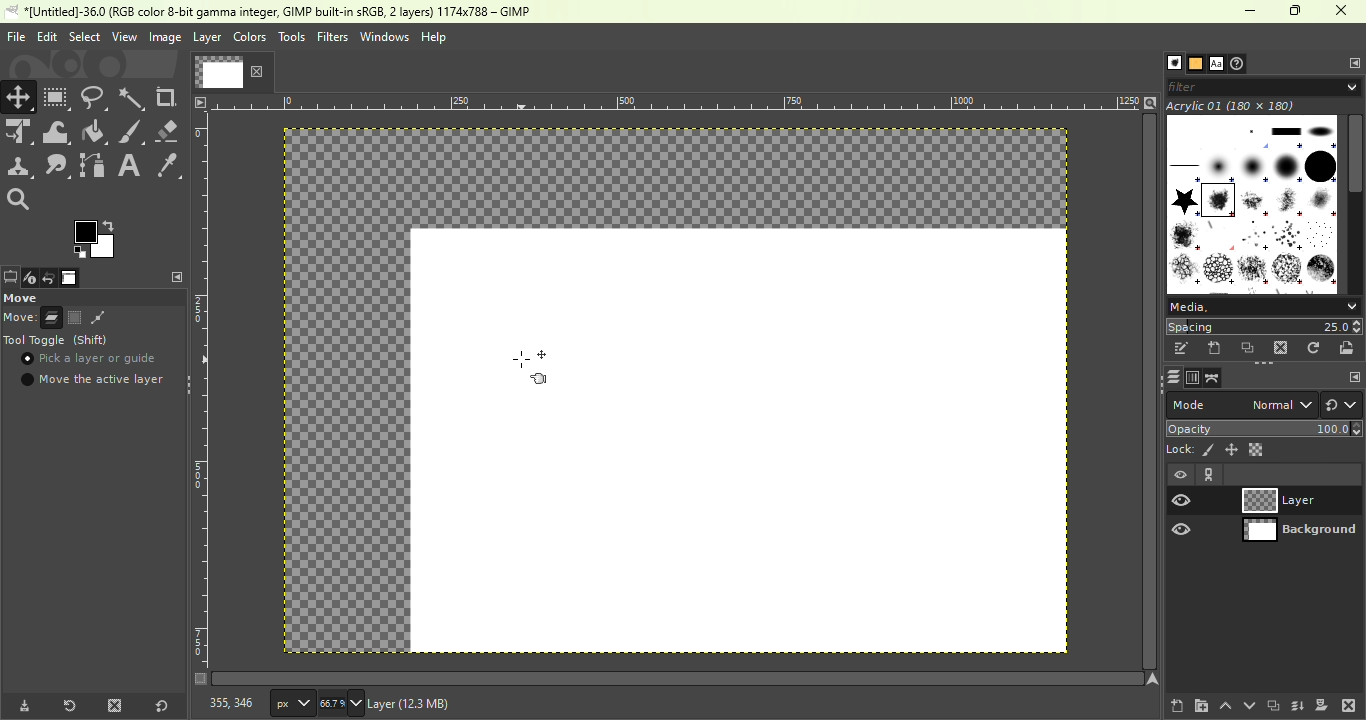  What do you see at coordinates (1350, 348) in the screenshot?
I see `Open brush as image` at bounding box center [1350, 348].